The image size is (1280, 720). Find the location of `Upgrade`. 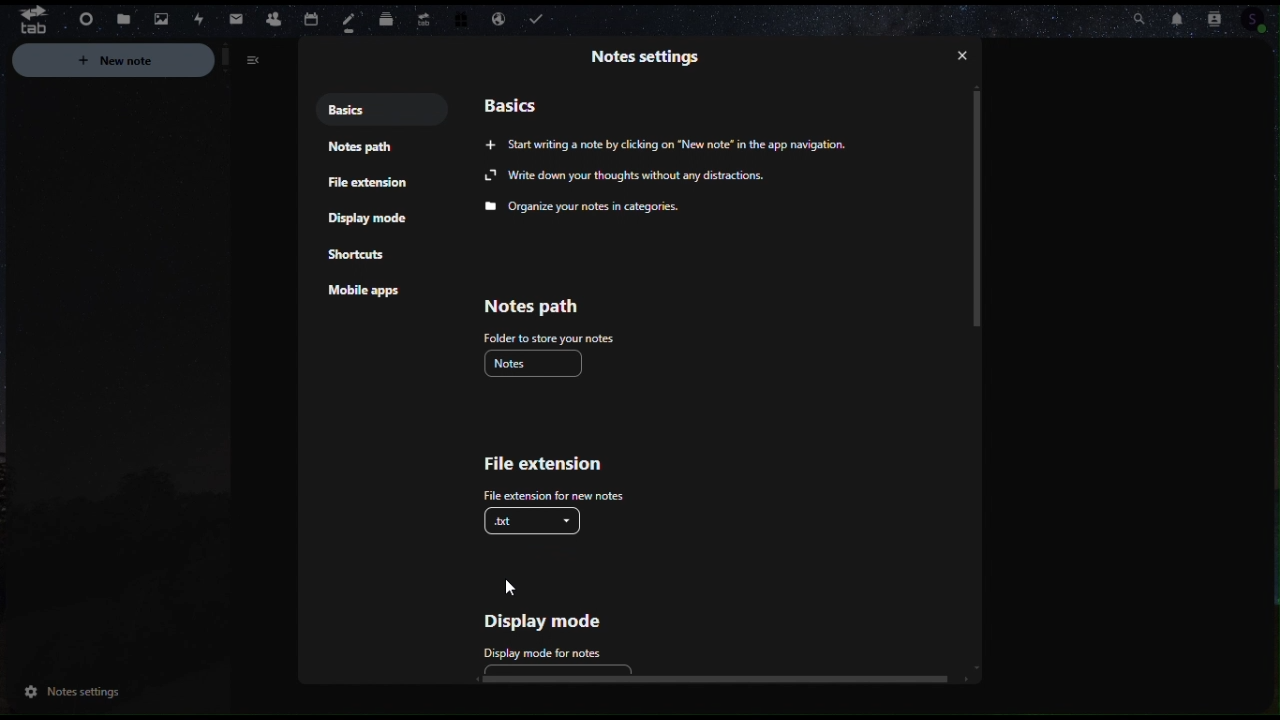

Upgrade is located at coordinates (422, 15).